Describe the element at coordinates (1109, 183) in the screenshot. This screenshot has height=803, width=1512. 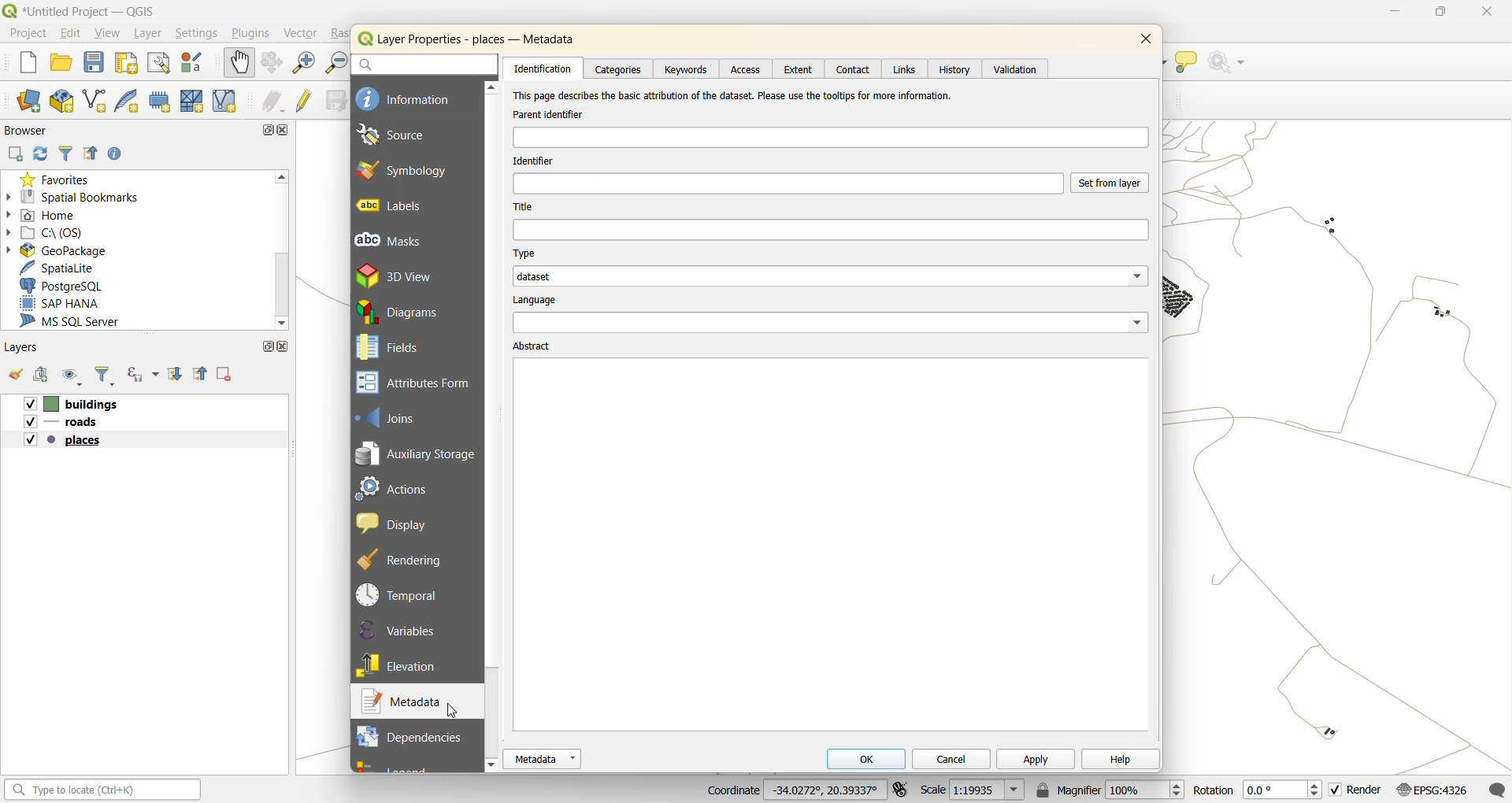
I see `set from layer` at that location.